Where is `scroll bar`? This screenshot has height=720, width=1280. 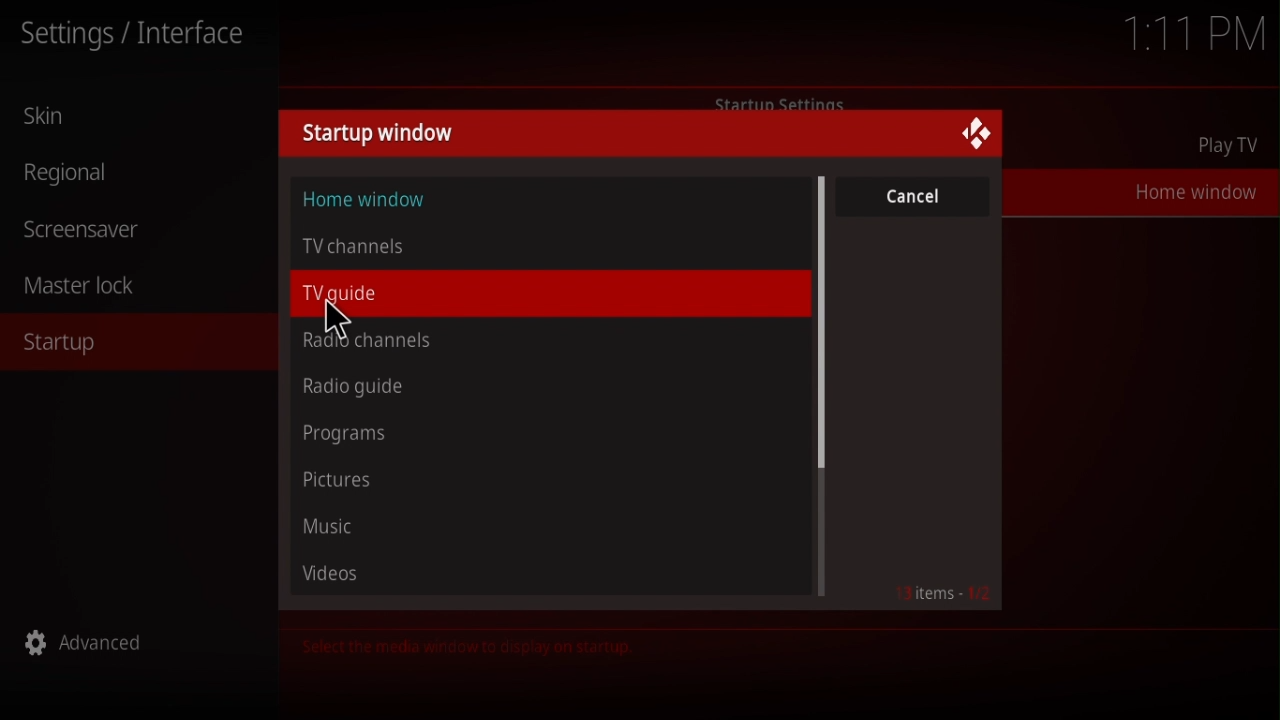 scroll bar is located at coordinates (824, 386).